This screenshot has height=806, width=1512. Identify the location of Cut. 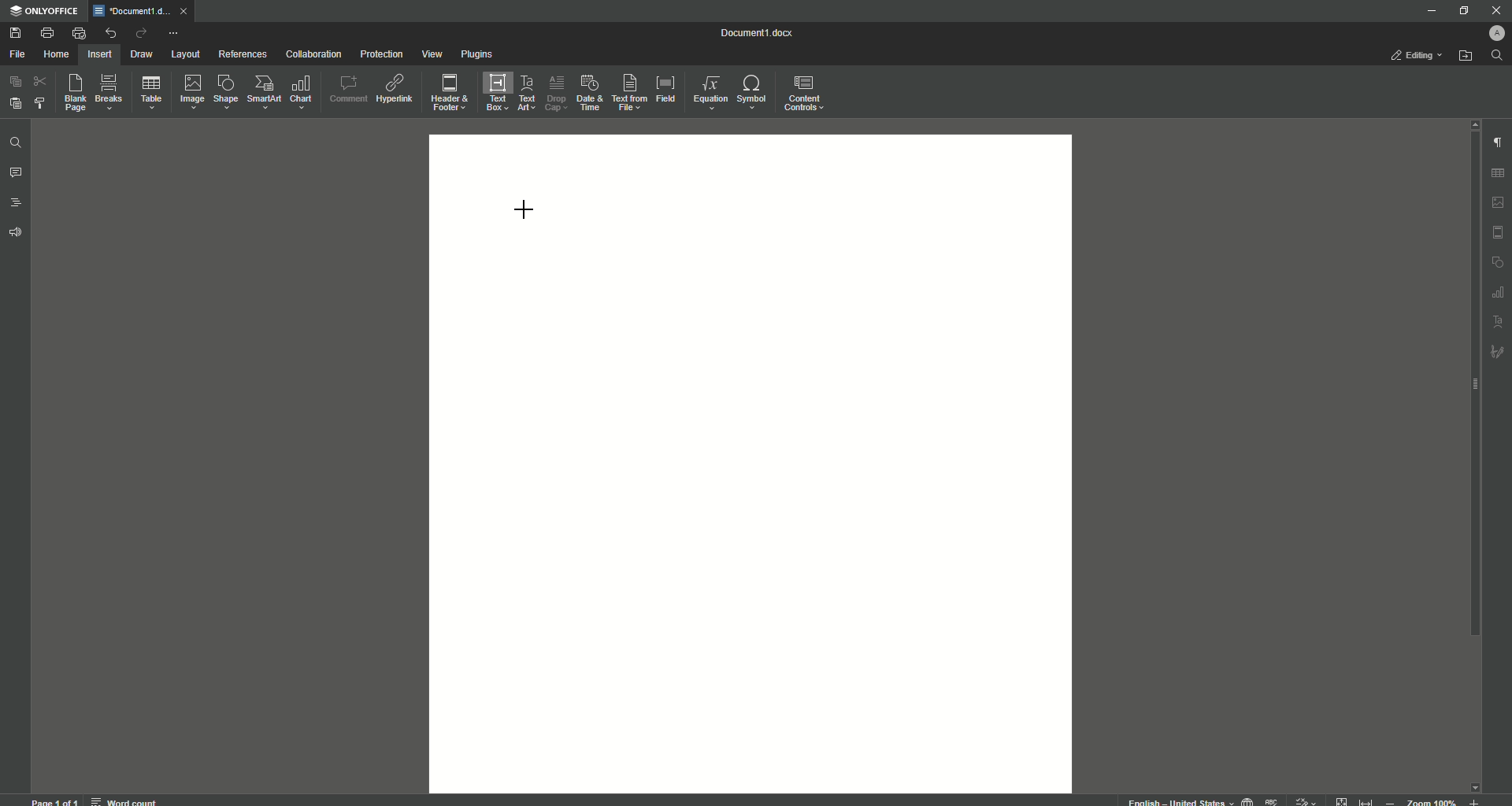
(42, 80).